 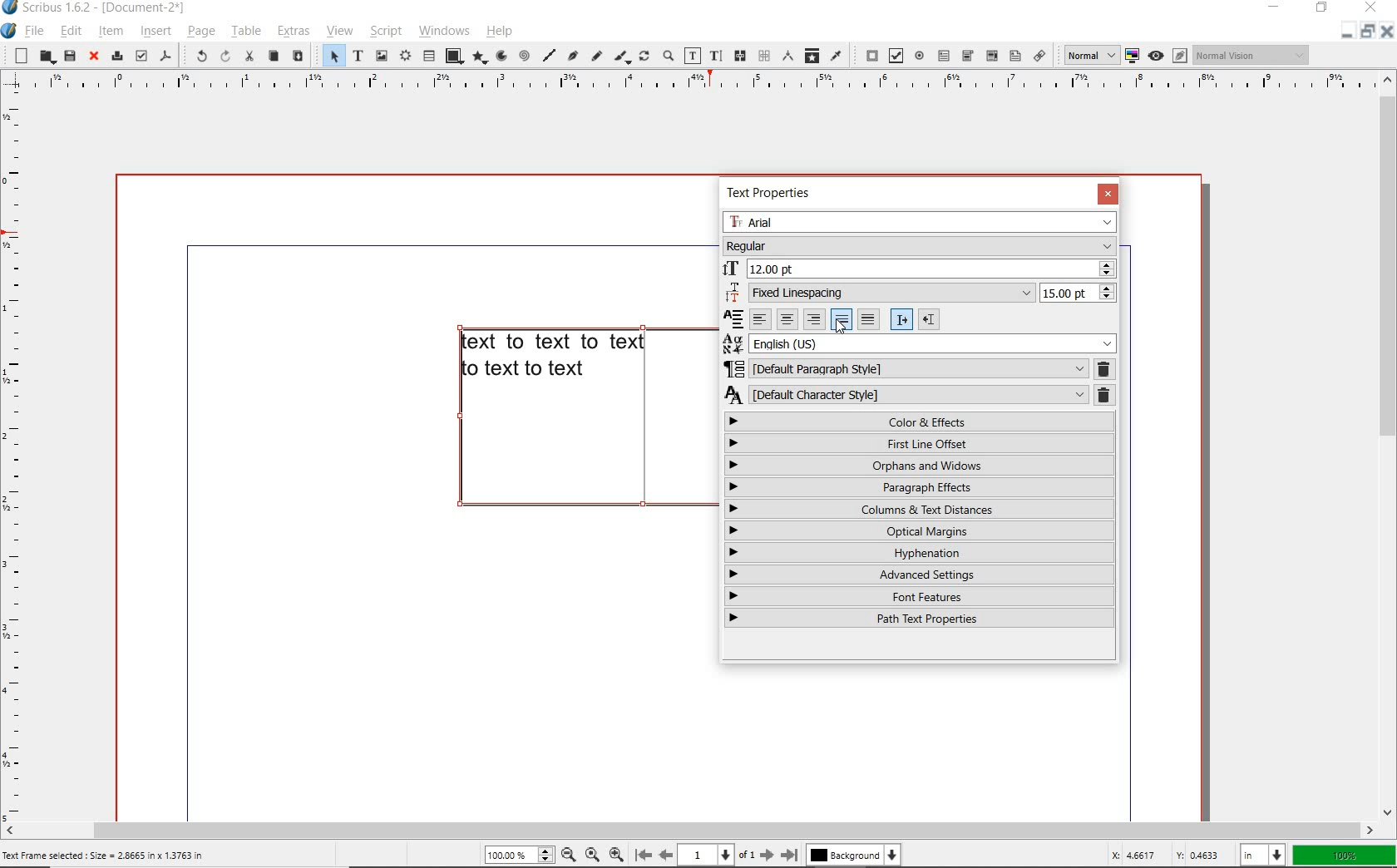 What do you see at coordinates (1079, 294) in the screenshot?
I see `15.00 pt` at bounding box center [1079, 294].